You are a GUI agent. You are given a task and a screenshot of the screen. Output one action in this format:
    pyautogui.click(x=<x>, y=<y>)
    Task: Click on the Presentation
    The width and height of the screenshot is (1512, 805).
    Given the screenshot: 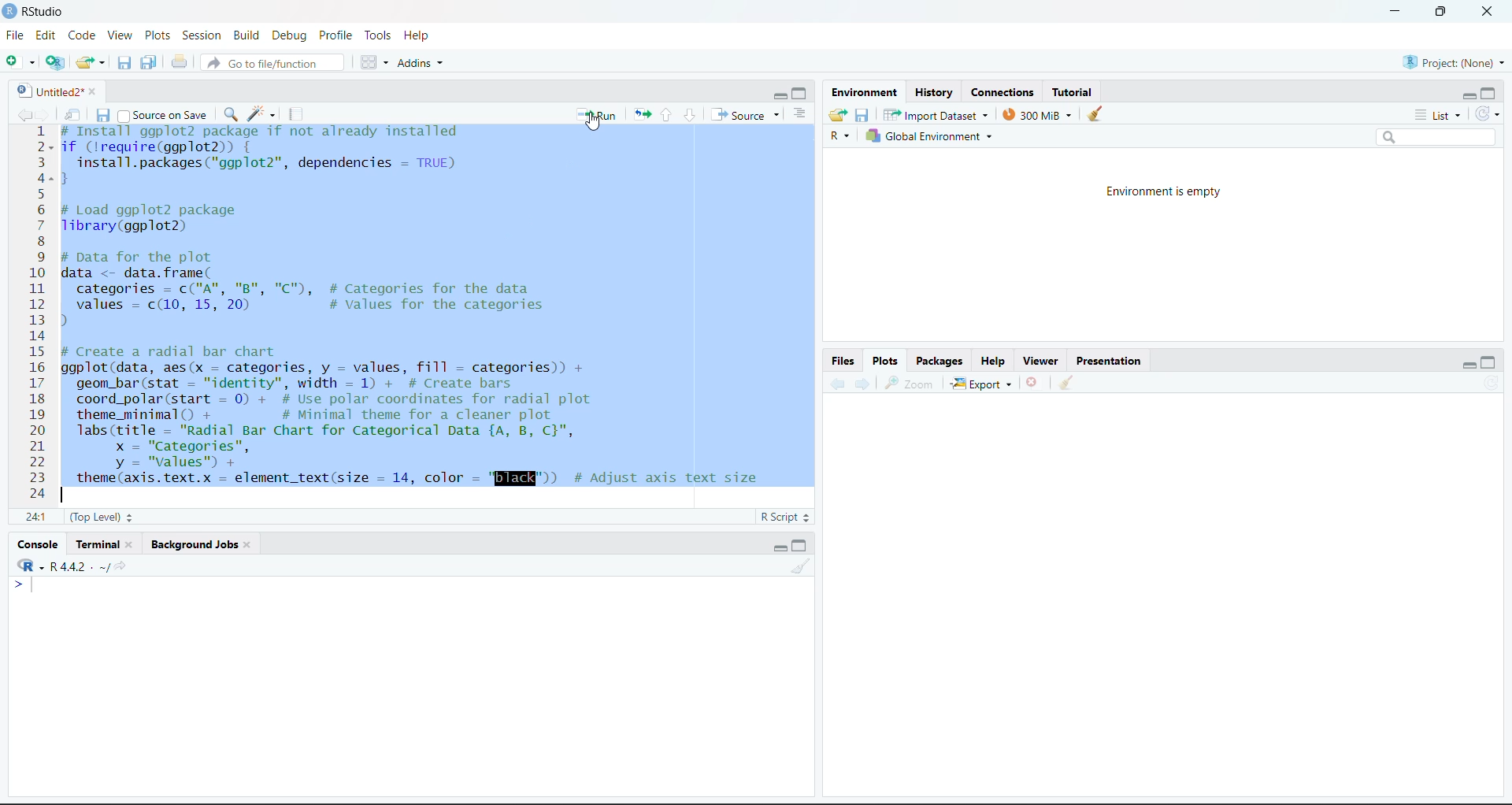 What is the action you would take?
    pyautogui.click(x=1112, y=362)
    